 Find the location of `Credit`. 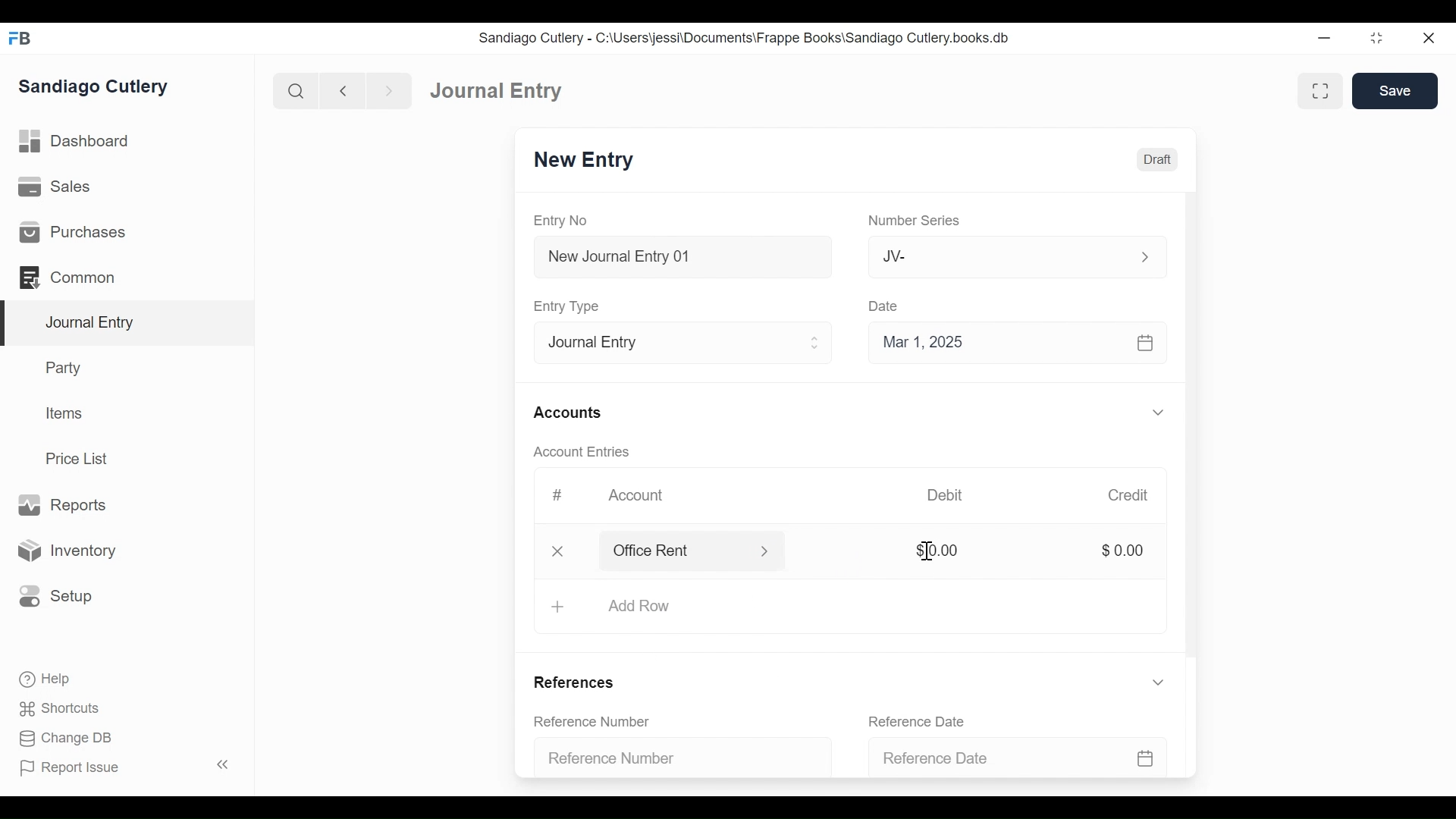

Credit is located at coordinates (1128, 495).